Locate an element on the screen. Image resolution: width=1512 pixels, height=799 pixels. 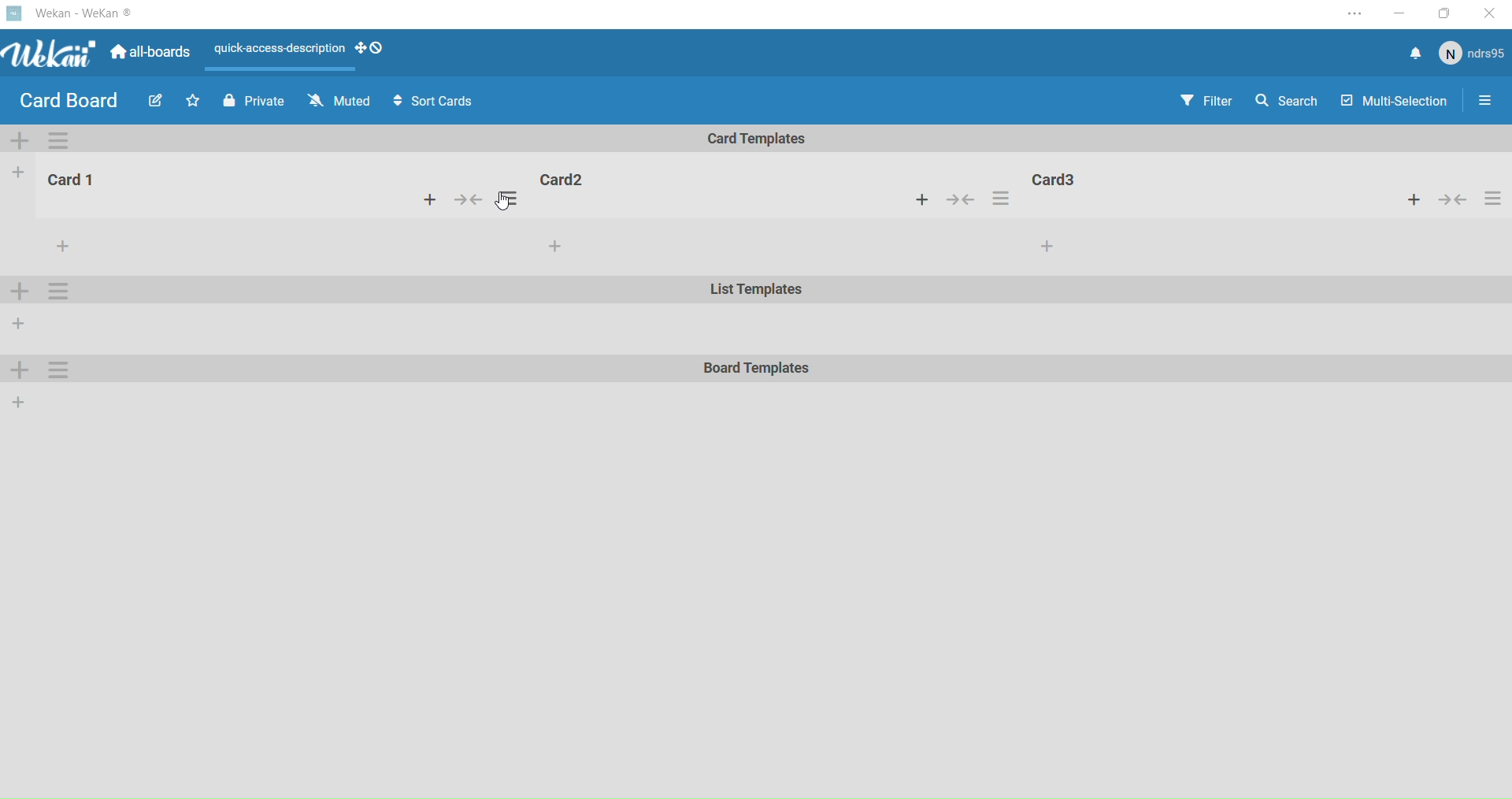
user is located at coordinates (1473, 57).